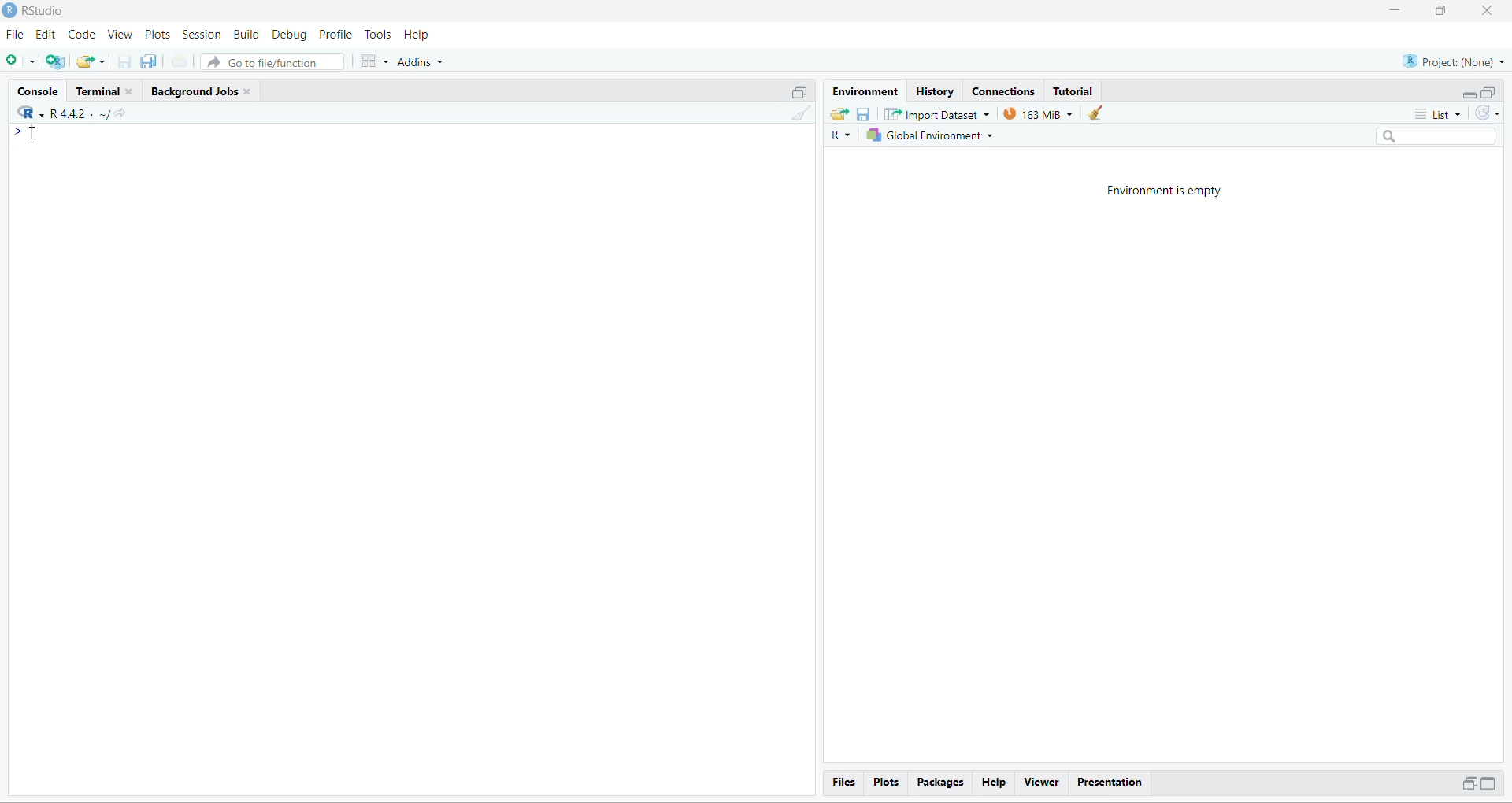 This screenshot has height=803, width=1512. What do you see at coordinates (884, 781) in the screenshot?
I see `Plots` at bounding box center [884, 781].